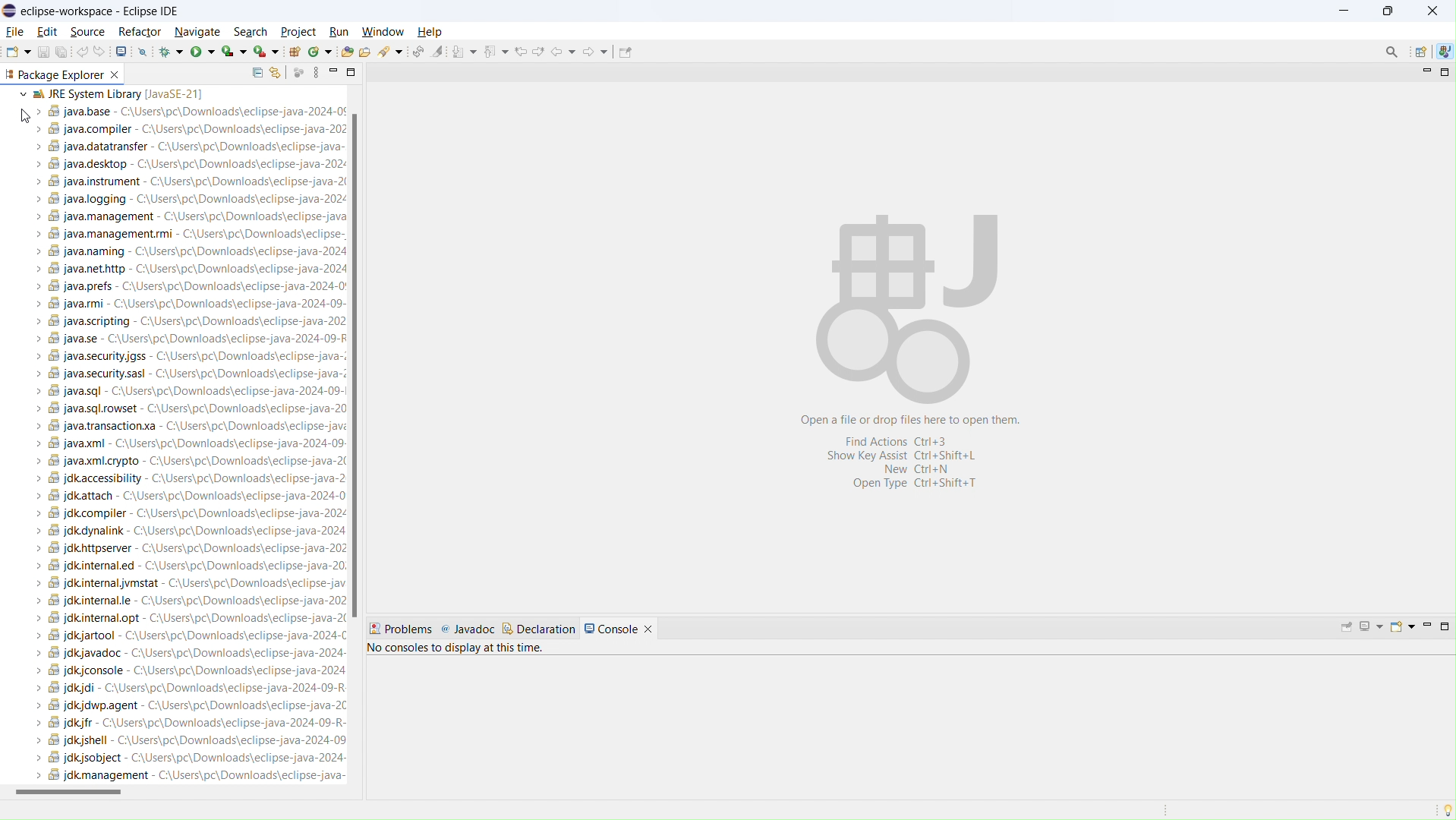 The height and width of the screenshot is (820, 1456). I want to click on minimize, so click(1423, 71).